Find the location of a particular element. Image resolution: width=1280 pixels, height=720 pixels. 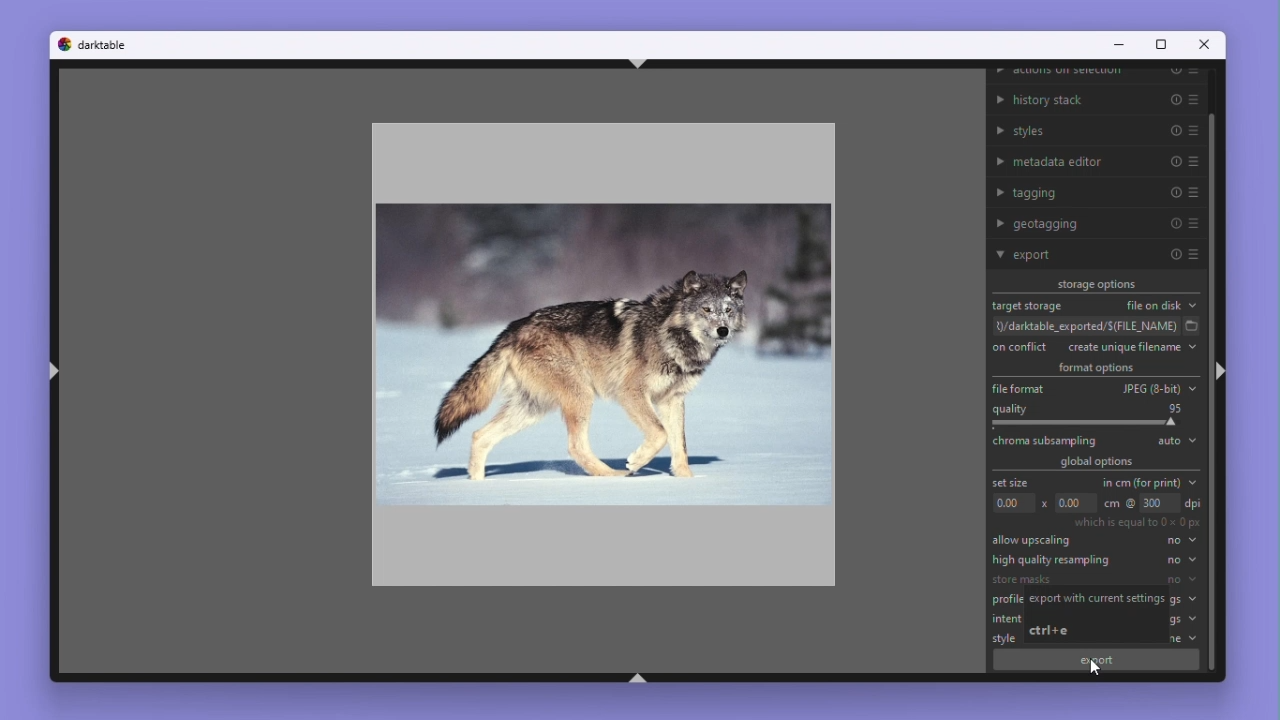

Actions on selection is located at coordinates (1098, 74).